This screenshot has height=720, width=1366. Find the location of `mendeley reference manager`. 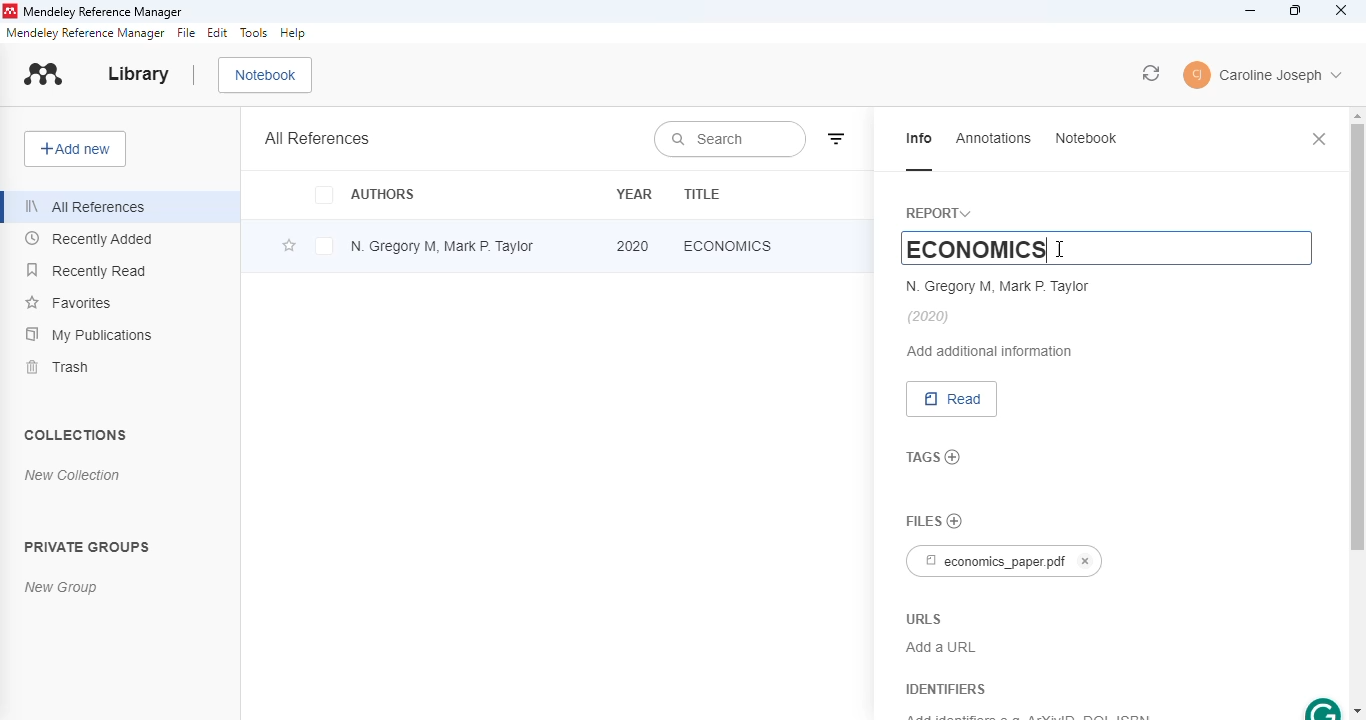

mendeley reference manager is located at coordinates (103, 12).